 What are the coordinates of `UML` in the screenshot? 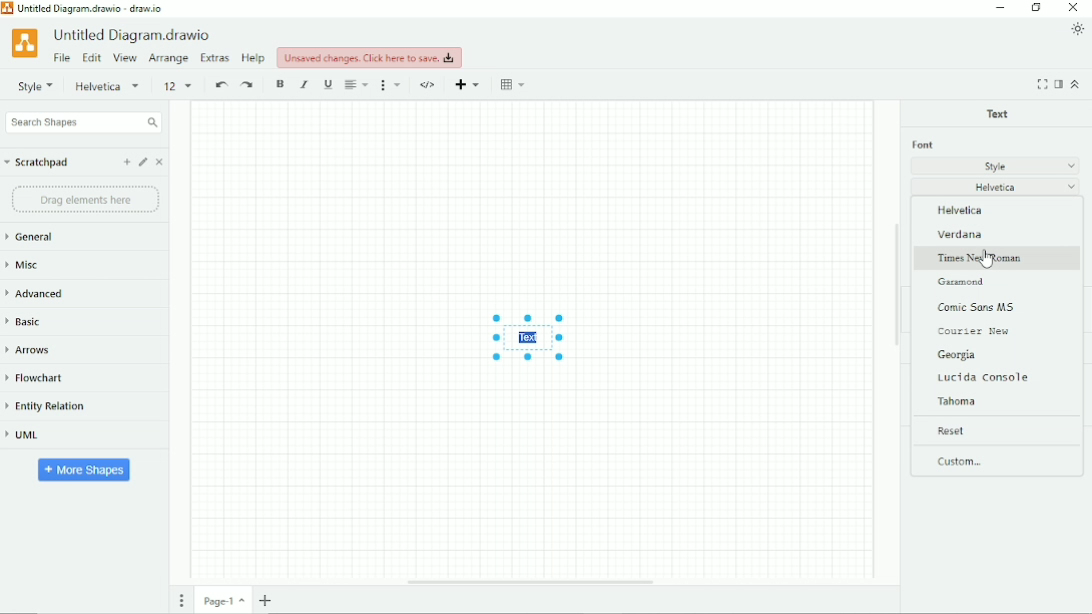 It's located at (25, 435).